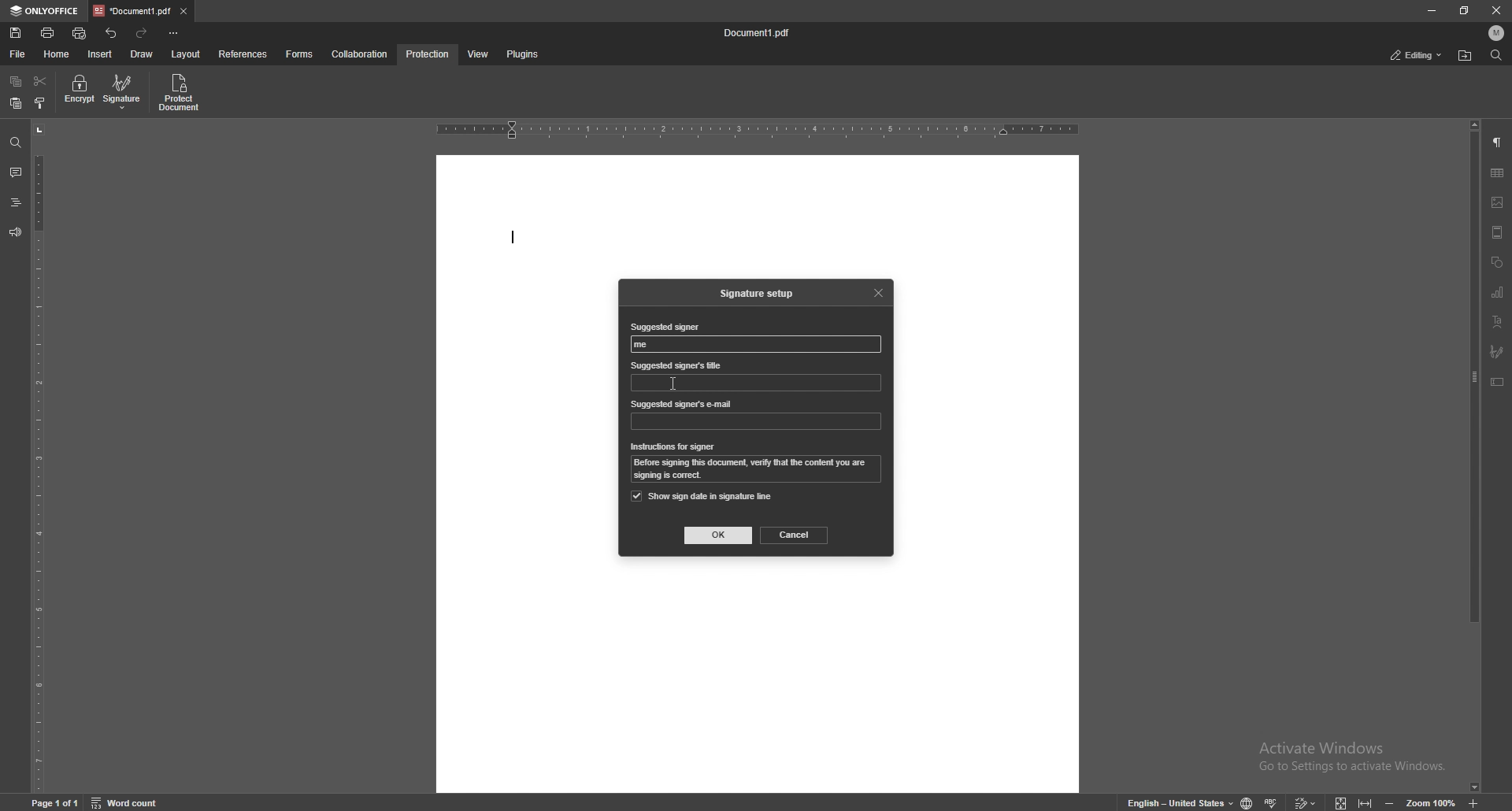  I want to click on text art, so click(1497, 323).